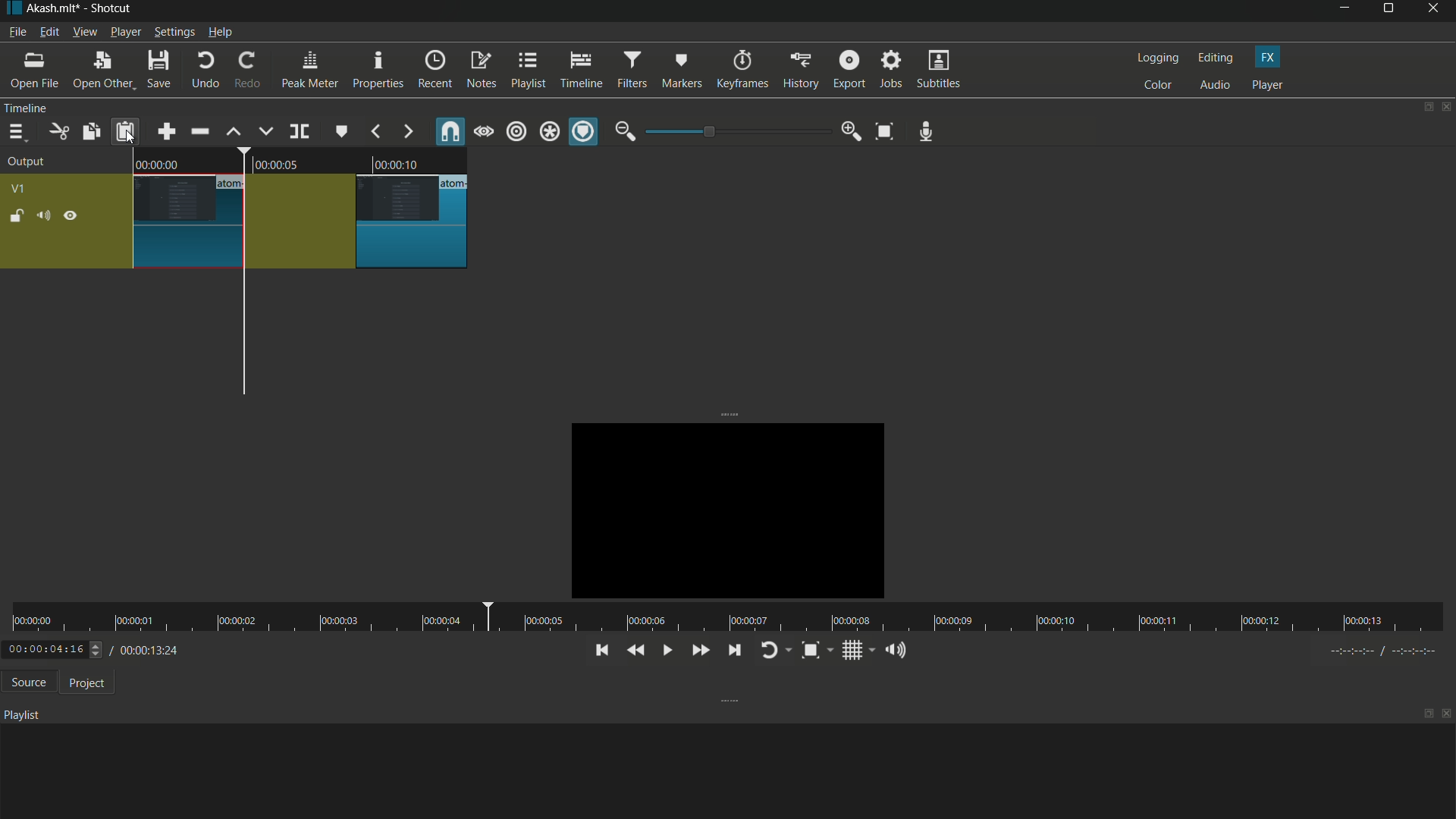 Image resolution: width=1456 pixels, height=819 pixels. I want to click on v1, so click(17, 190).